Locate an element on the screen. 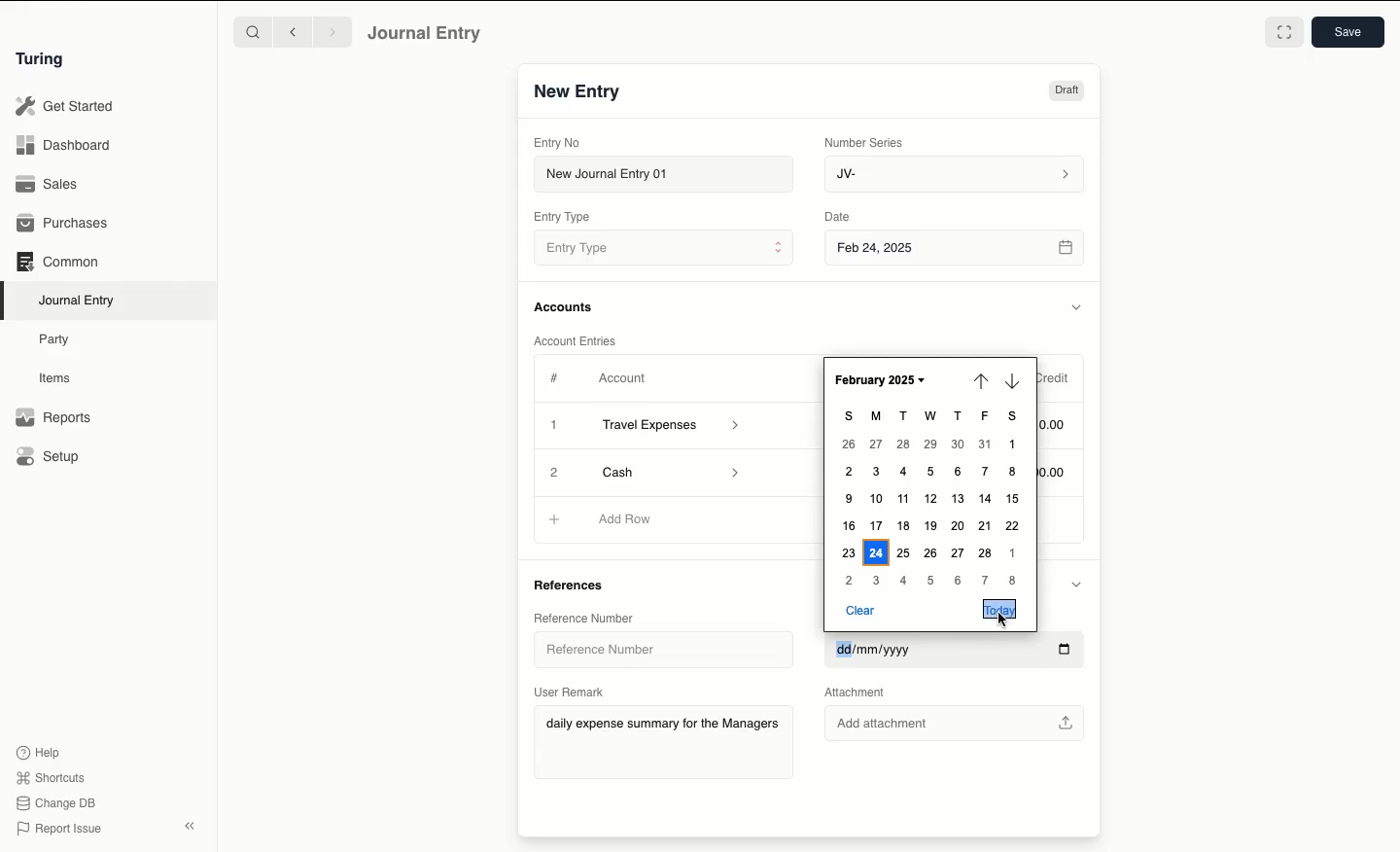 This screenshot has height=852, width=1400. Entry Type is located at coordinates (562, 217).